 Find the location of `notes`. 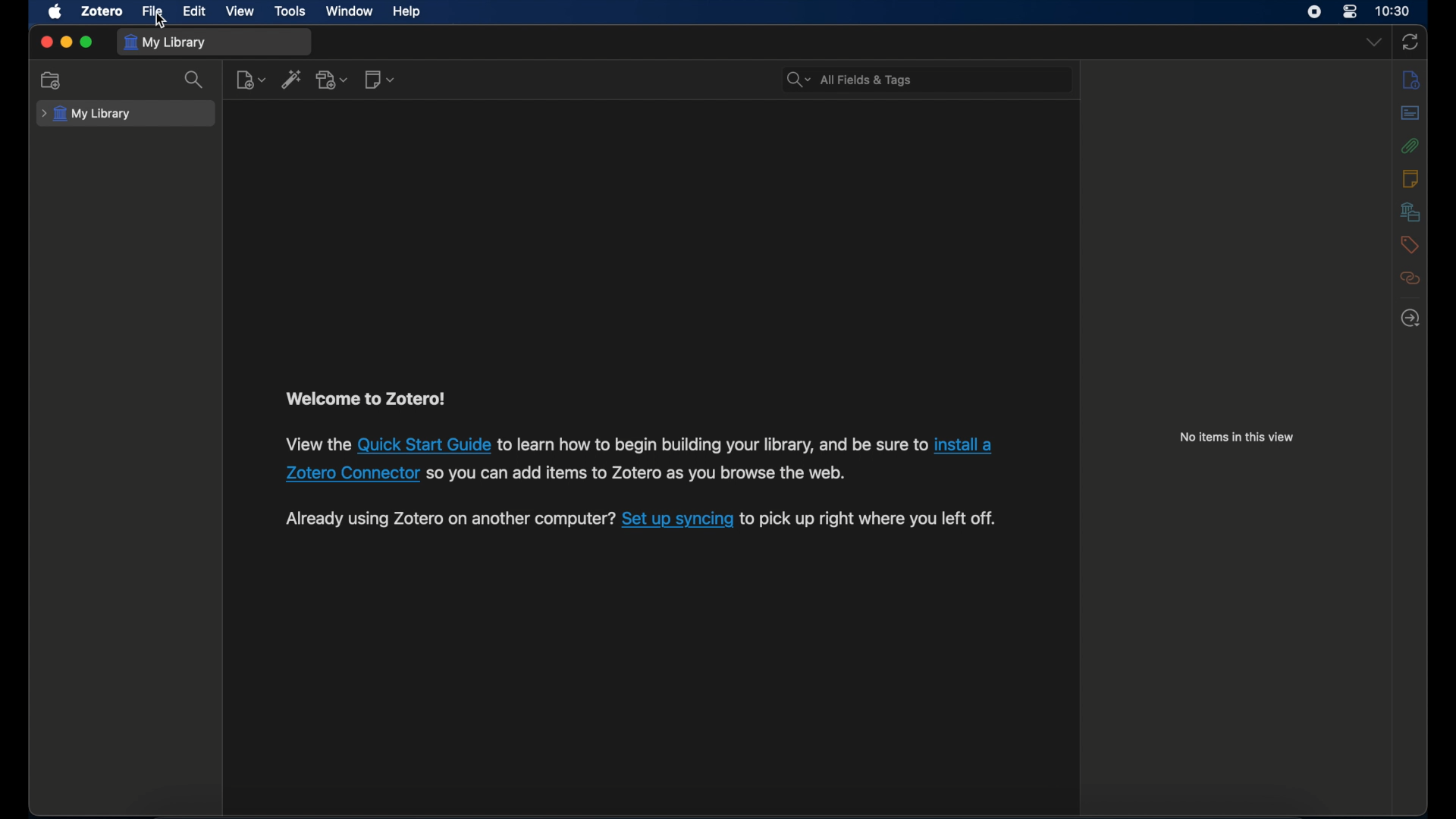

notes is located at coordinates (1412, 79).